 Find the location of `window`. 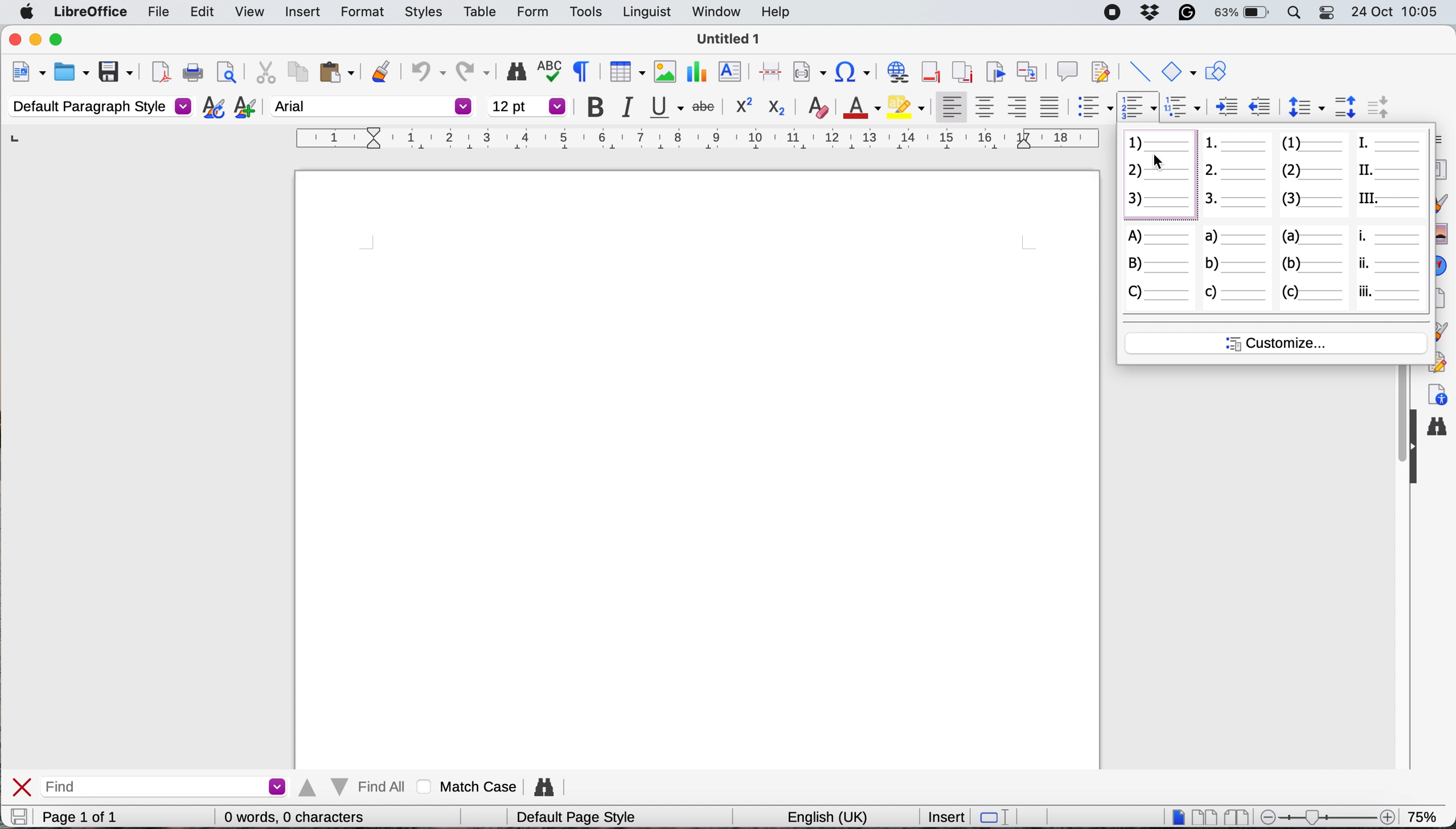

window is located at coordinates (716, 14).